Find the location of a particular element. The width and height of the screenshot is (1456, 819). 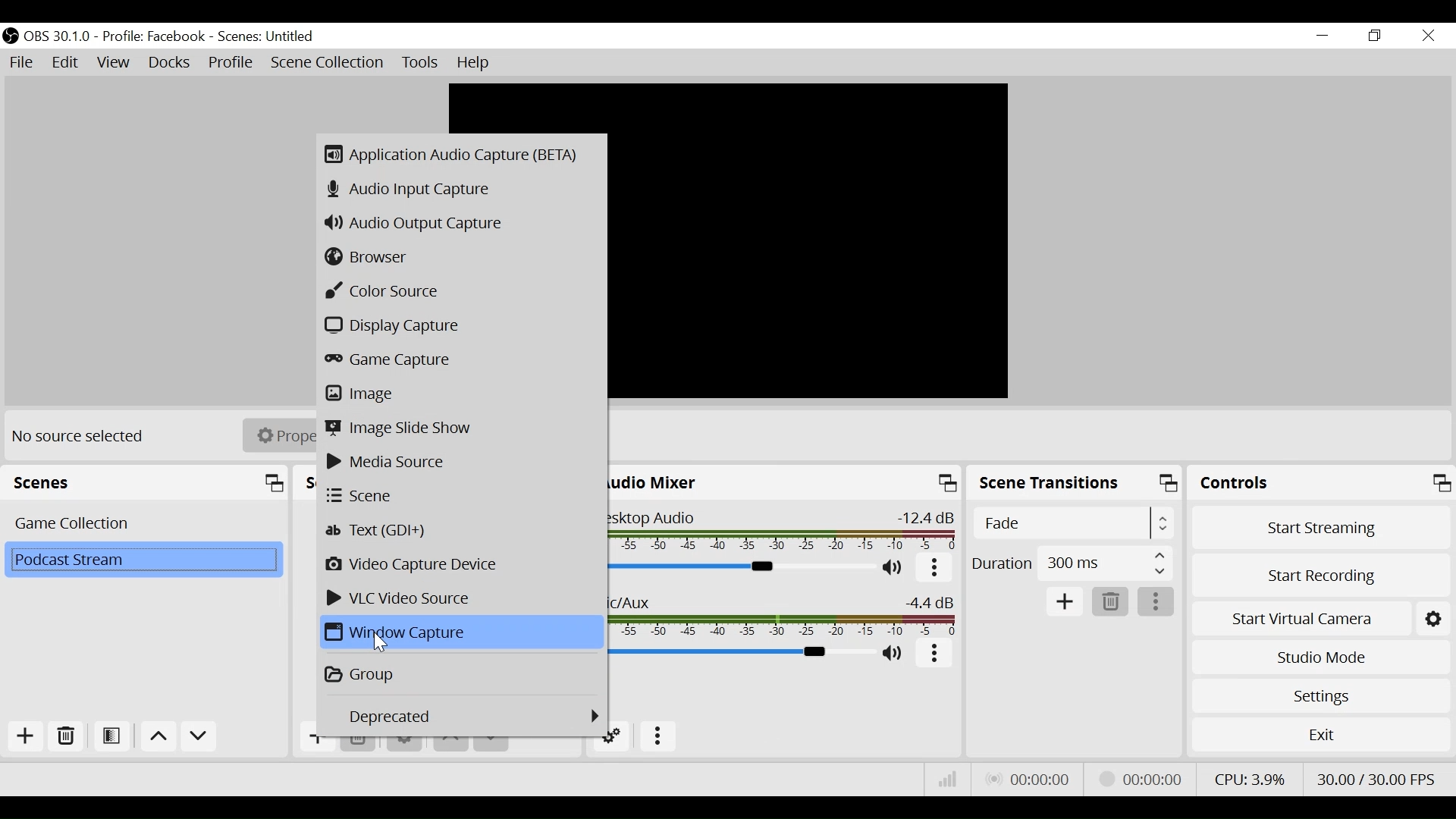

Profile is located at coordinates (231, 63).